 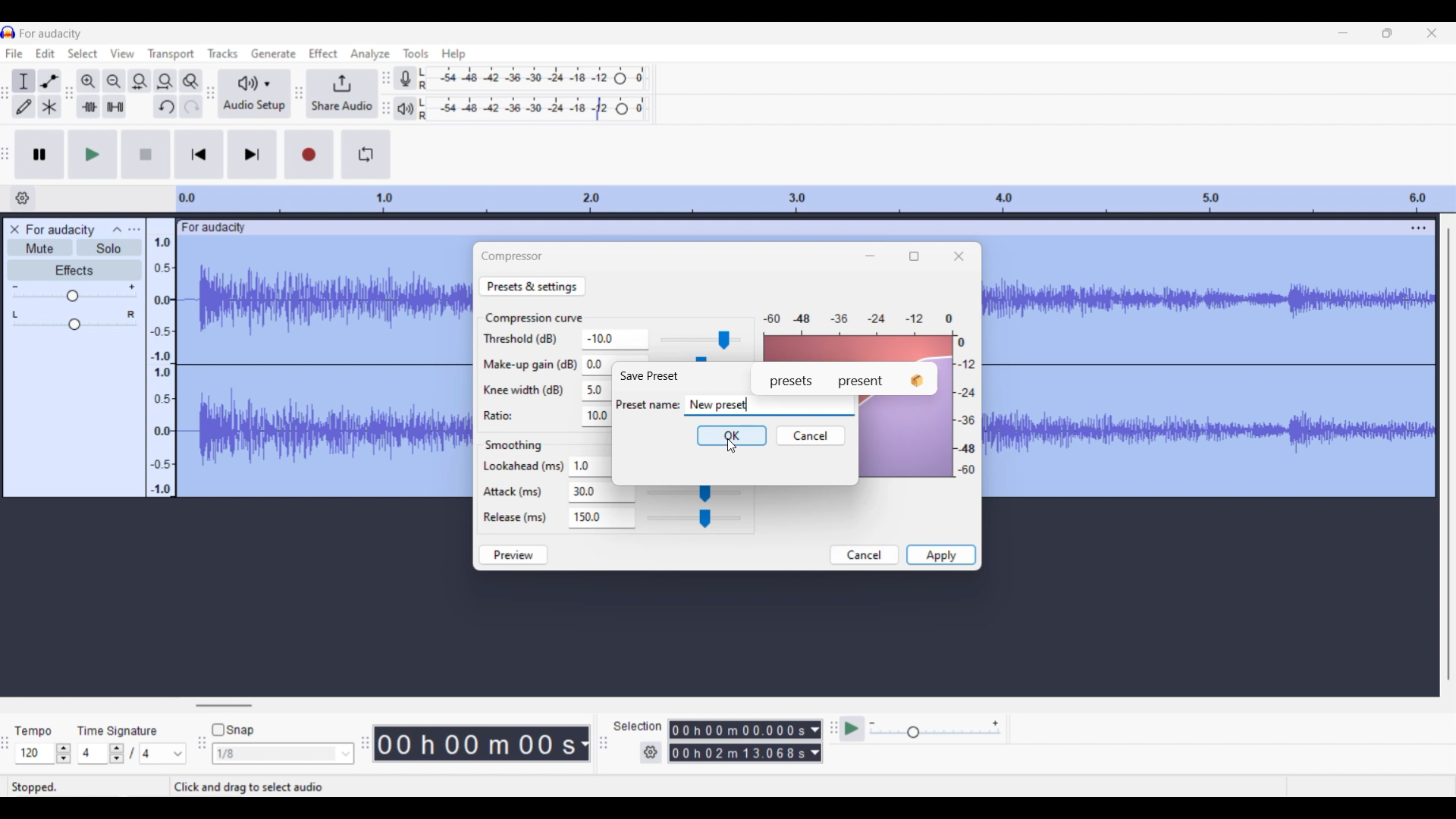 I want to click on Select, so click(x=83, y=53).